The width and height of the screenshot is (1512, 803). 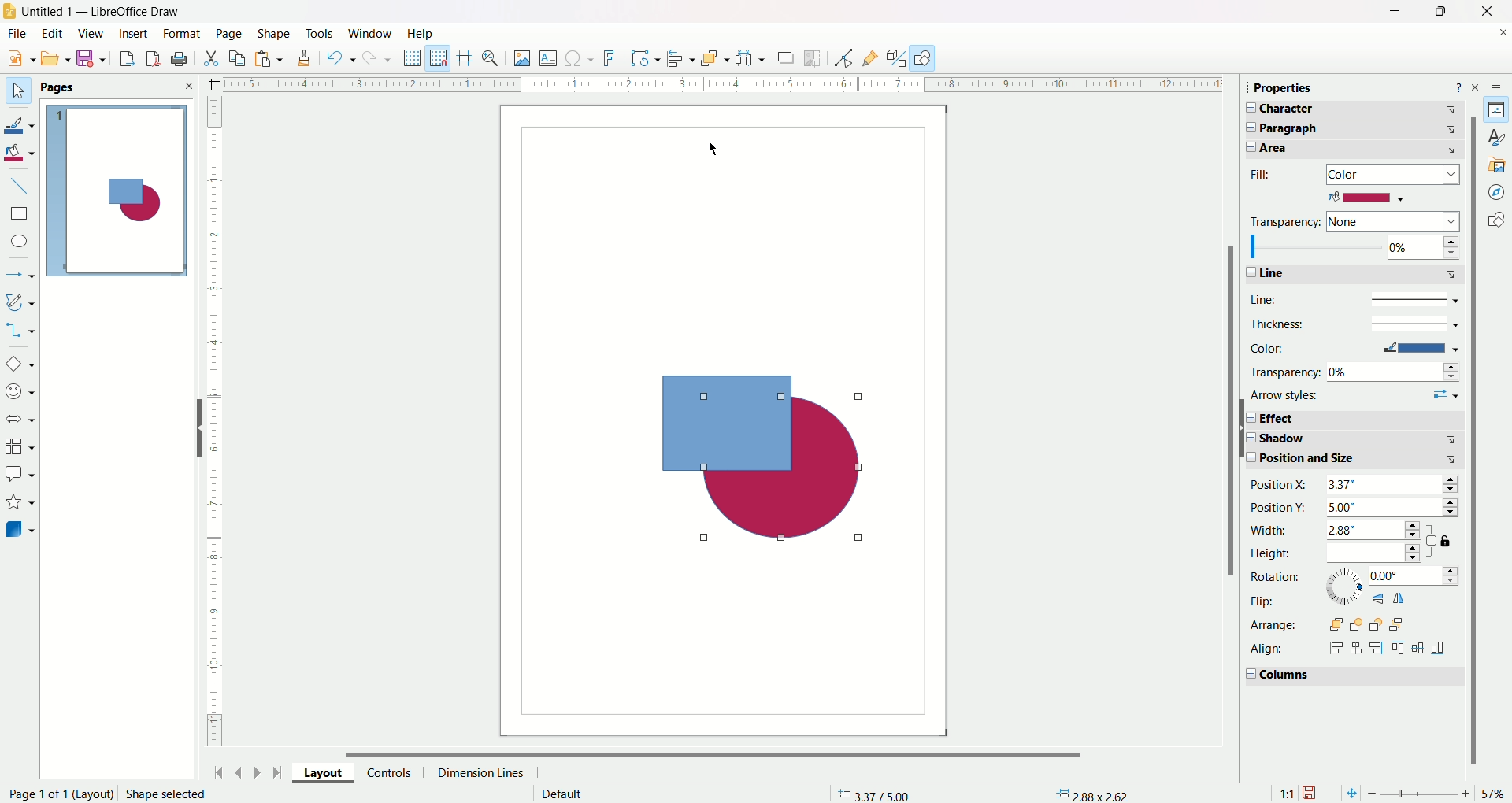 What do you see at coordinates (1442, 542) in the screenshot?
I see `lock` at bounding box center [1442, 542].